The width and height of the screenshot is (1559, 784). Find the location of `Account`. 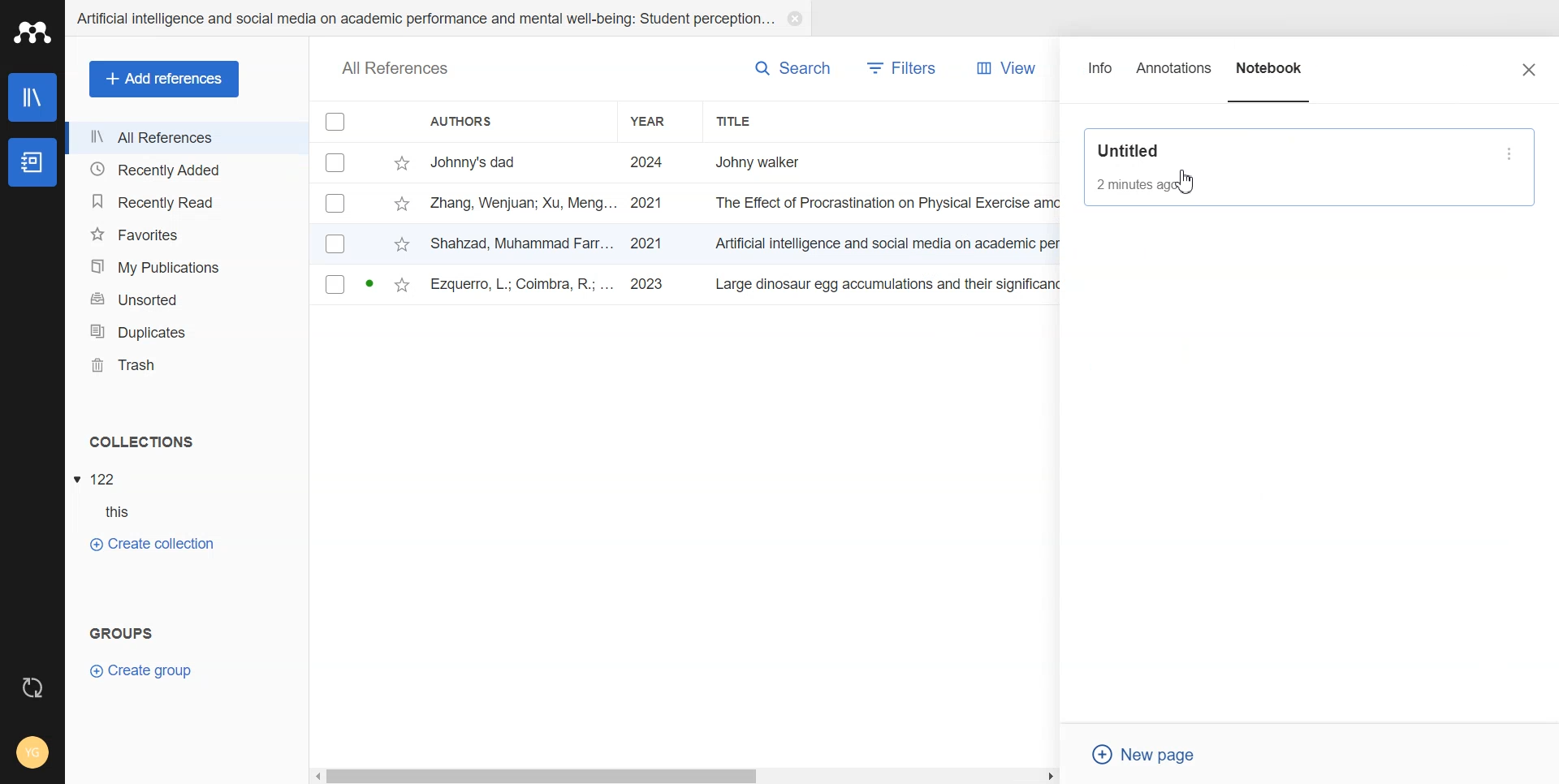

Account is located at coordinates (32, 754).